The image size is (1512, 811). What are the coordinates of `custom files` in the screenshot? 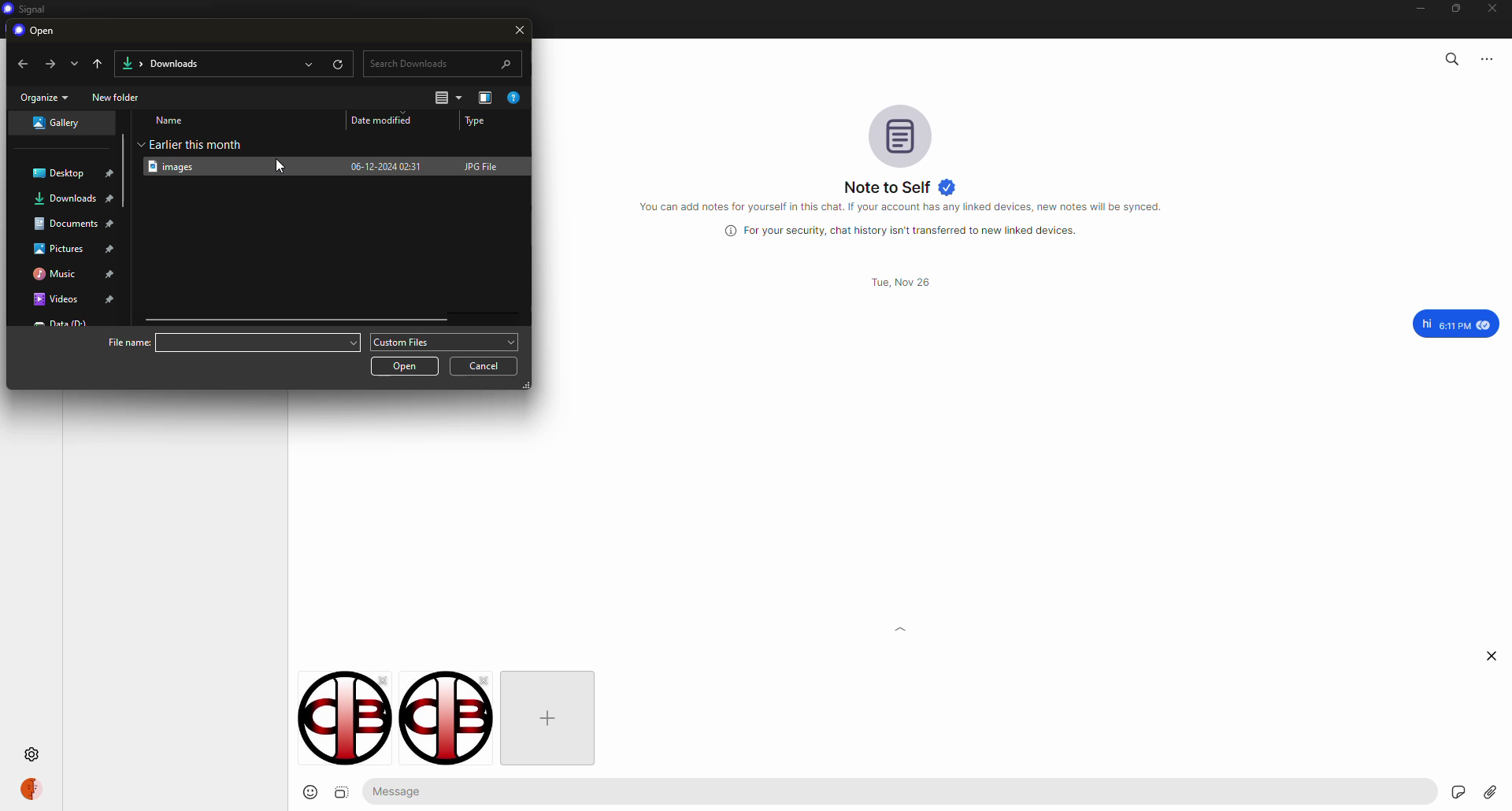 It's located at (405, 343).